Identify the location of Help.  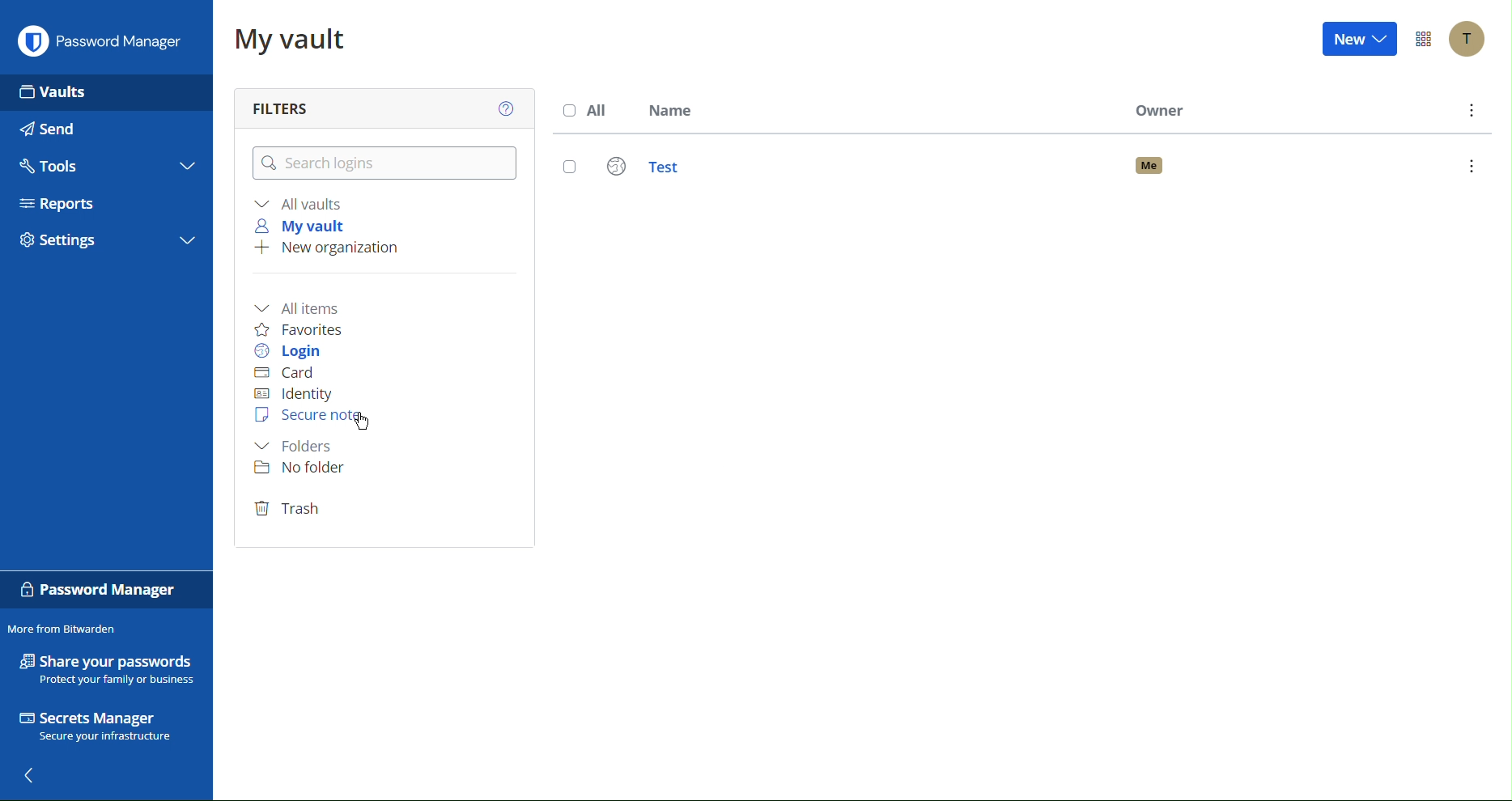
(507, 108).